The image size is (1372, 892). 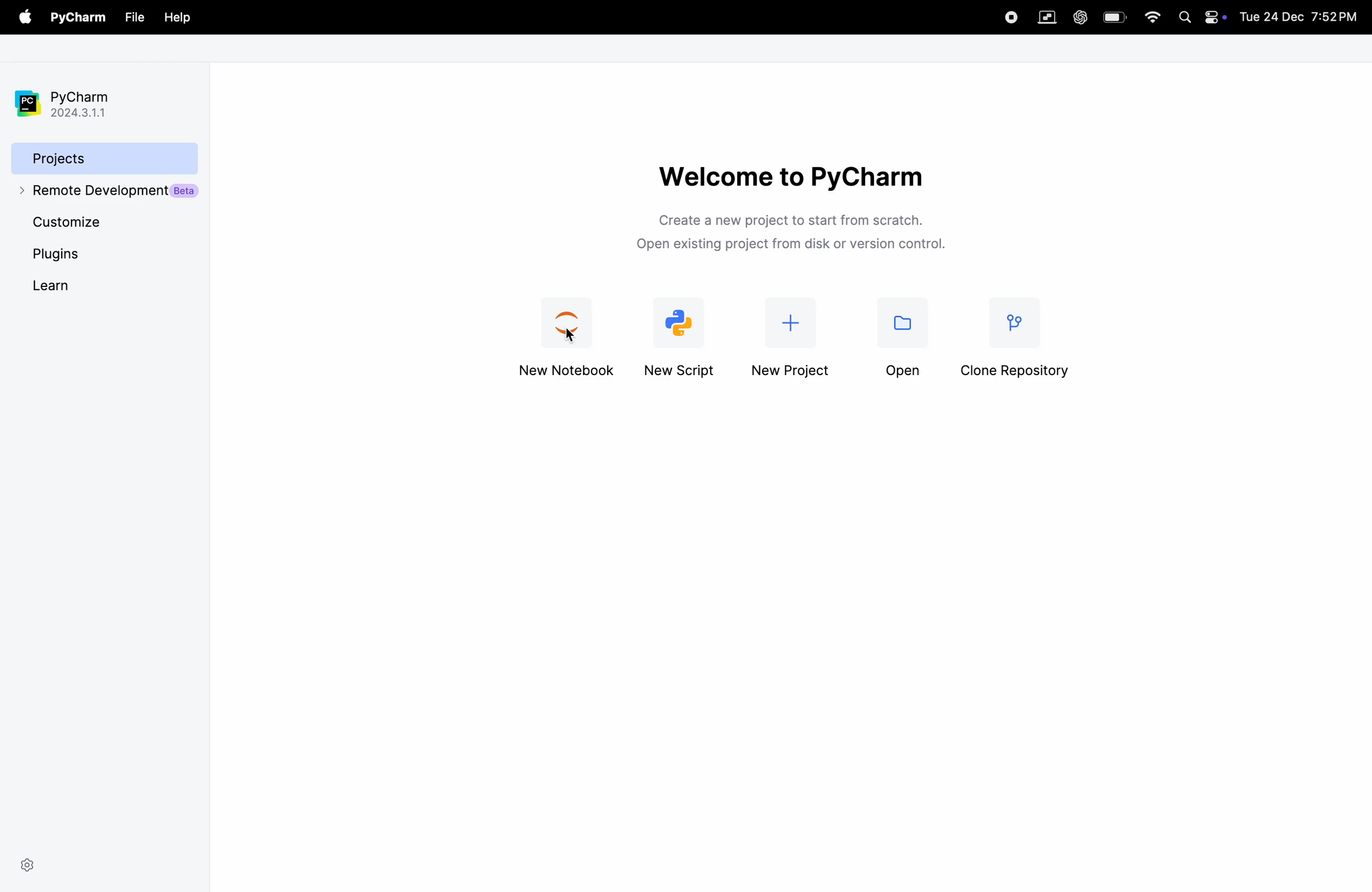 I want to click on chatgpt, so click(x=1080, y=17).